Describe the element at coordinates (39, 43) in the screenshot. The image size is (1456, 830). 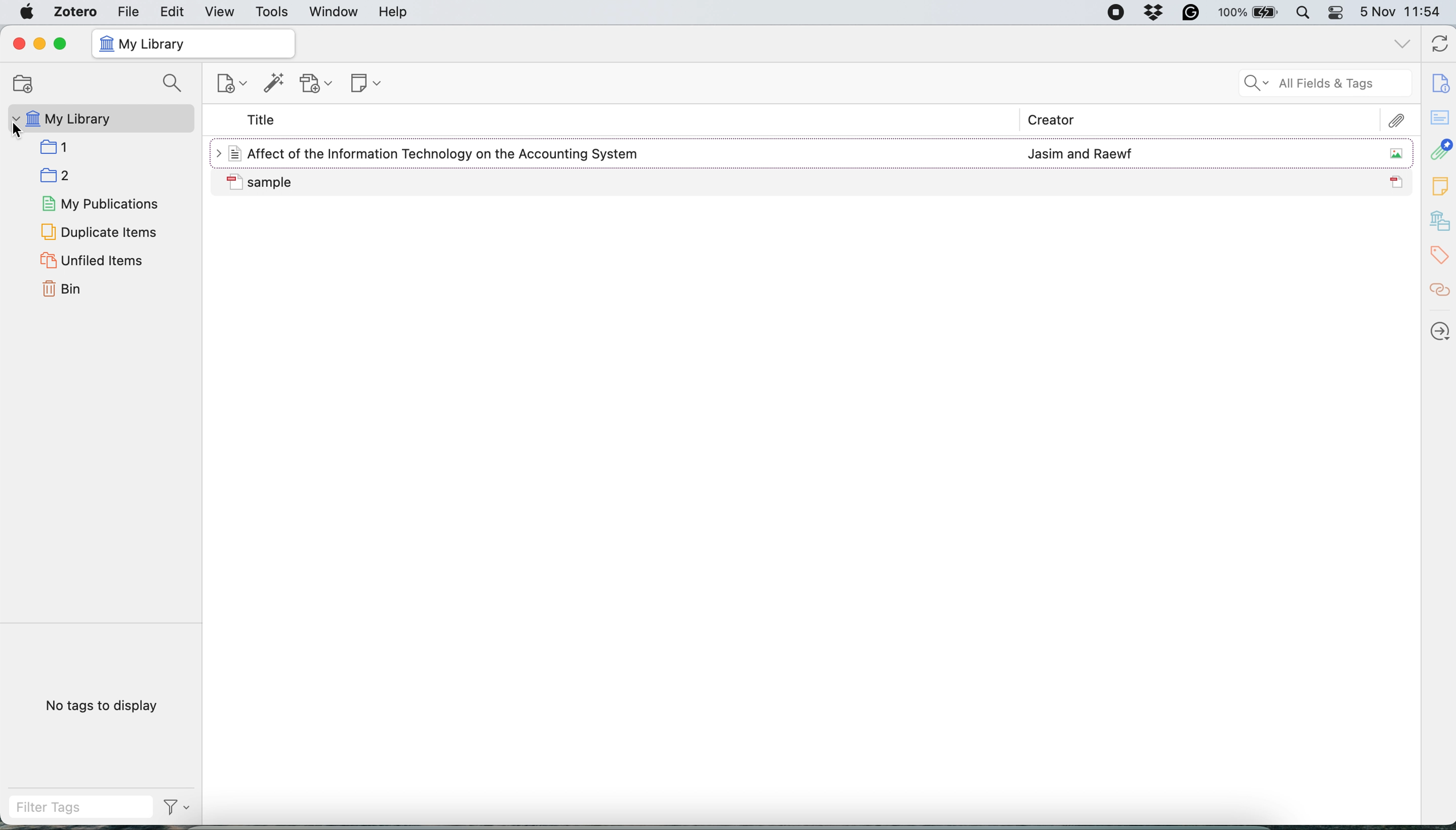
I see `minimise` at that location.